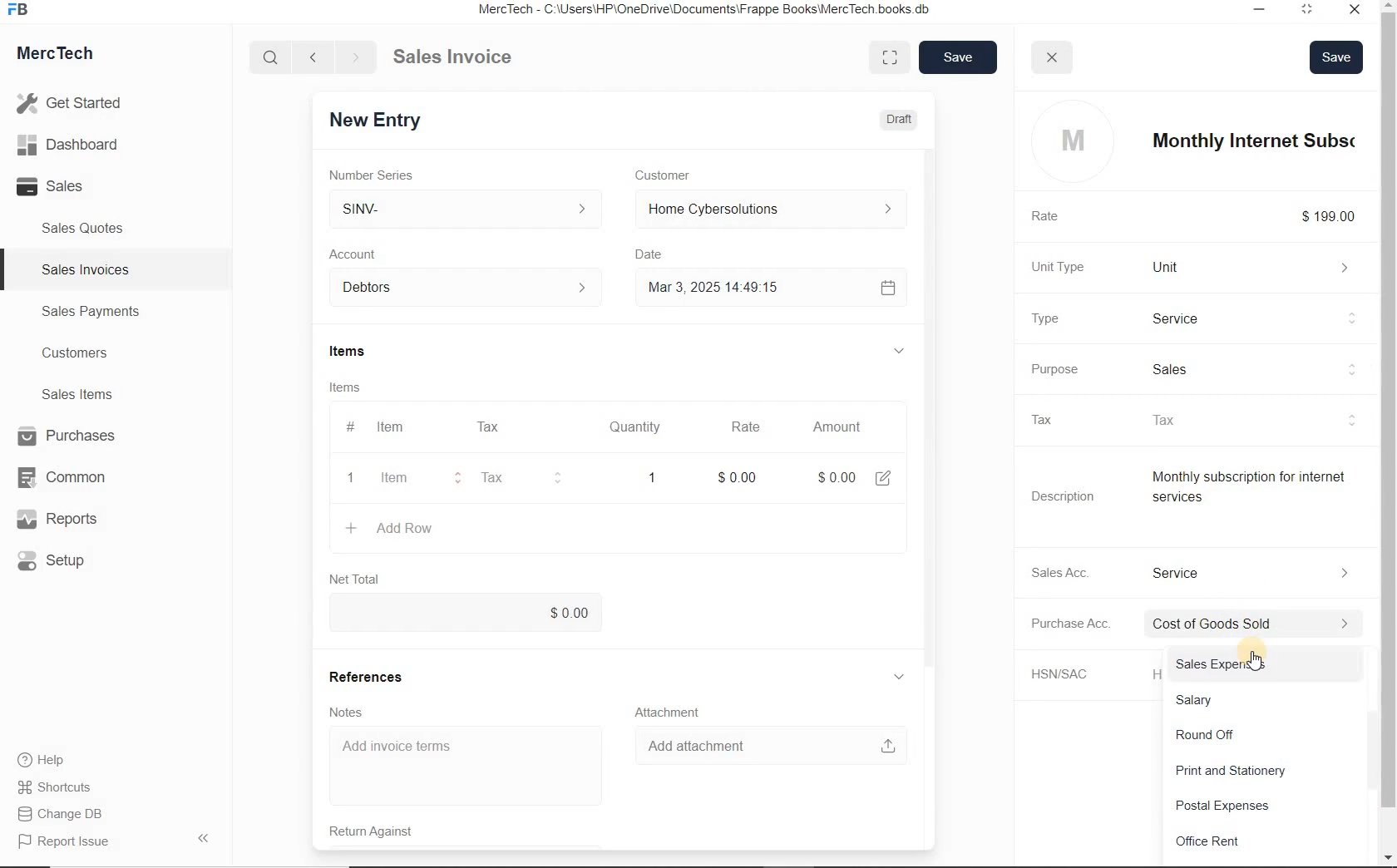 Image resolution: width=1397 pixels, height=868 pixels. Describe the element at coordinates (202, 837) in the screenshot. I see `Hide Sidebar` at that location.